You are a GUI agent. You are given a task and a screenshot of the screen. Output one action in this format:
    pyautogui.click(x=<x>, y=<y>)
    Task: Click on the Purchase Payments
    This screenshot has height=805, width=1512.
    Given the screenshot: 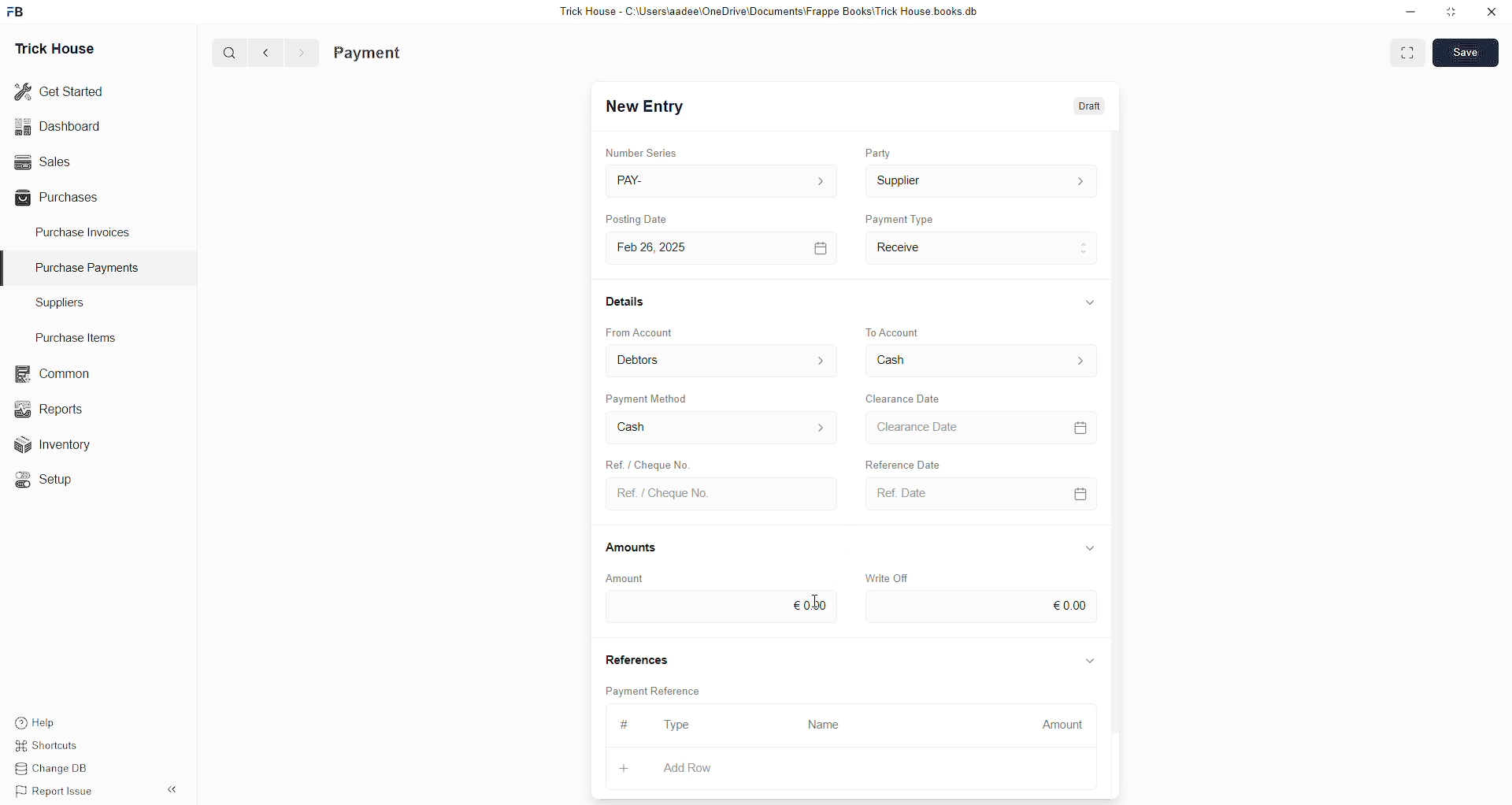 What is the action you would take?
    pyautogui.click(x=92, y=268)
    